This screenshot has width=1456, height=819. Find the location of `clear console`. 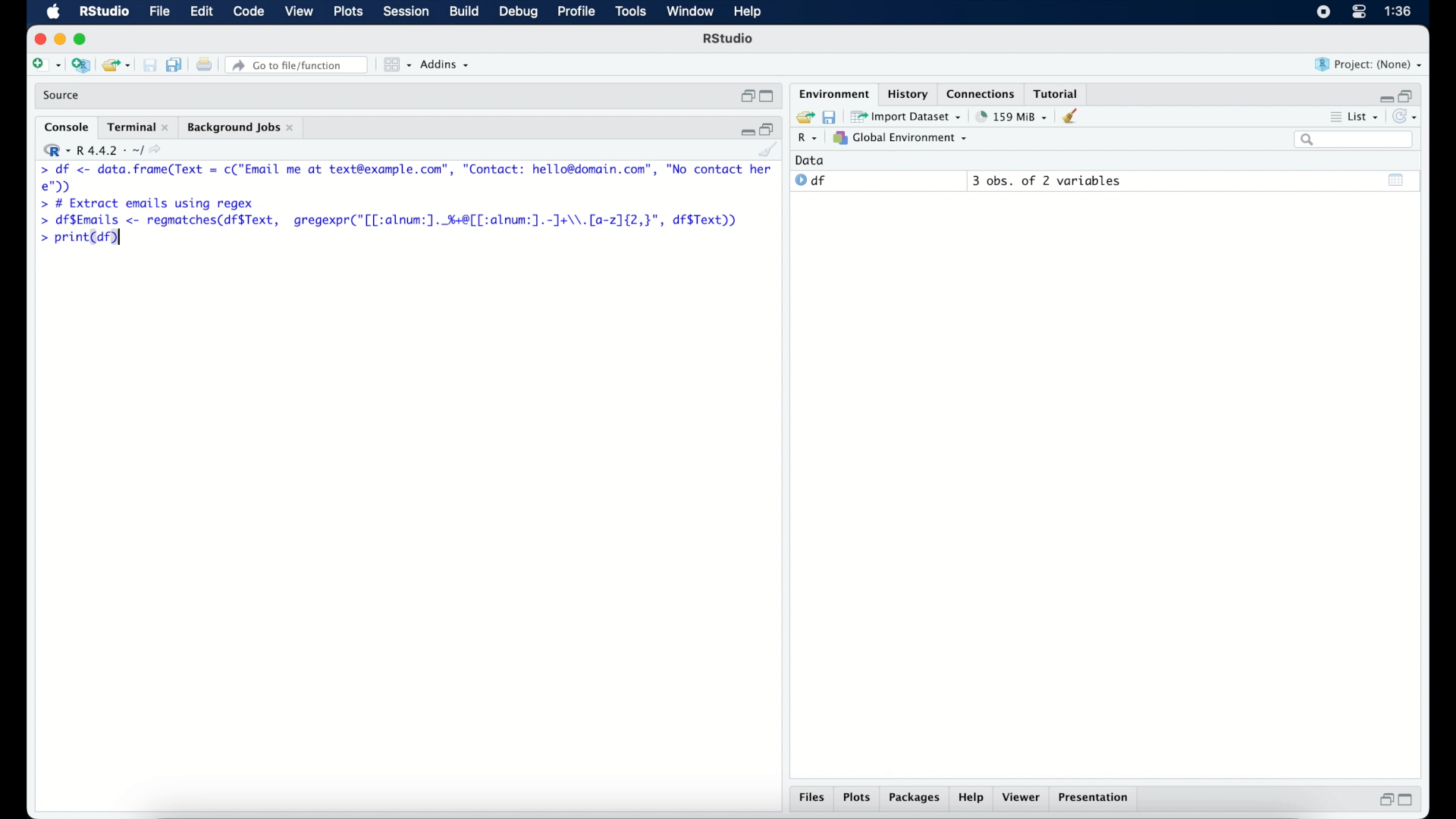

clear console is located at coordinates (773, 151).